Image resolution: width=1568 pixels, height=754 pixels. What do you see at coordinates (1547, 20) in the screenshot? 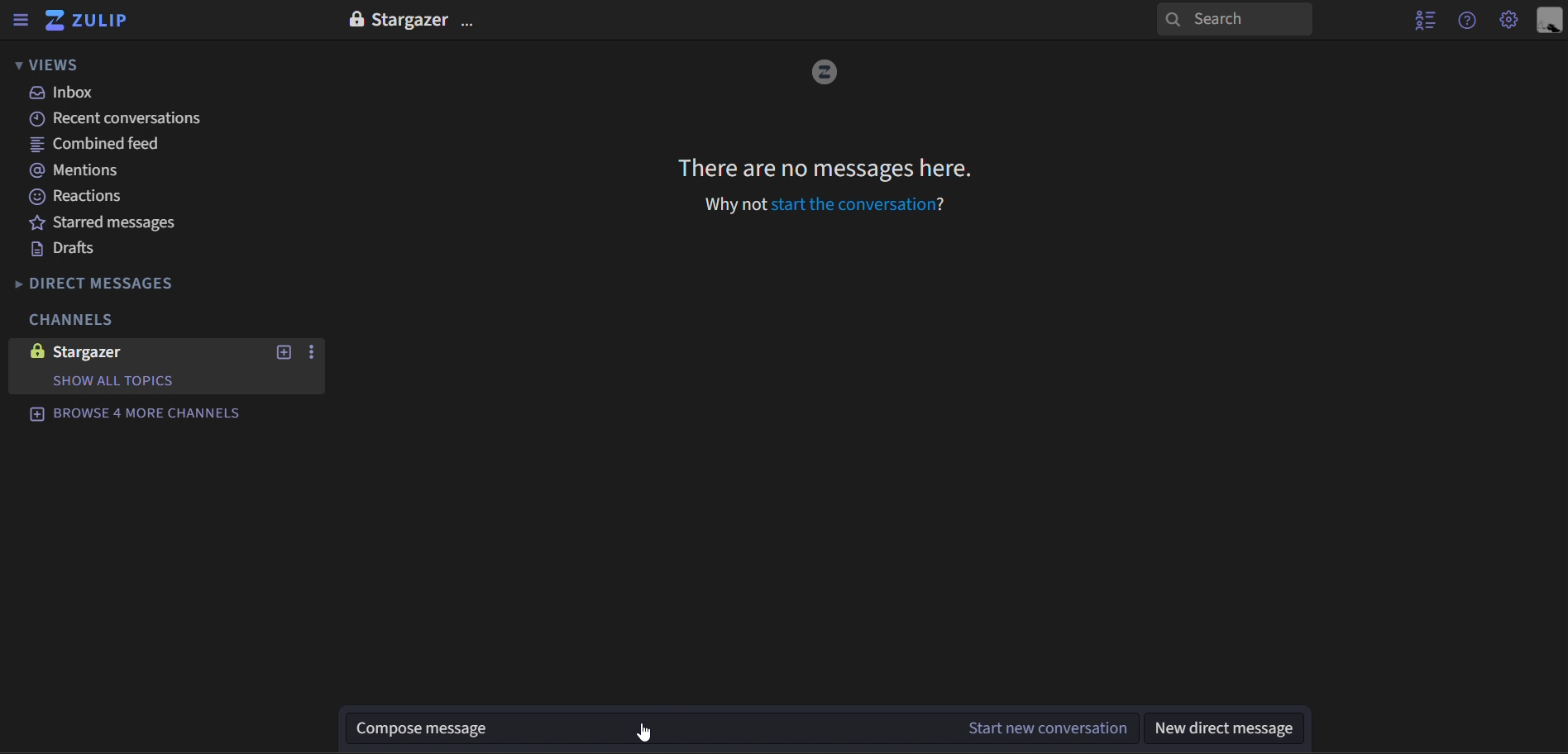
I see `personal menu` at bounding box center [1547, 20].